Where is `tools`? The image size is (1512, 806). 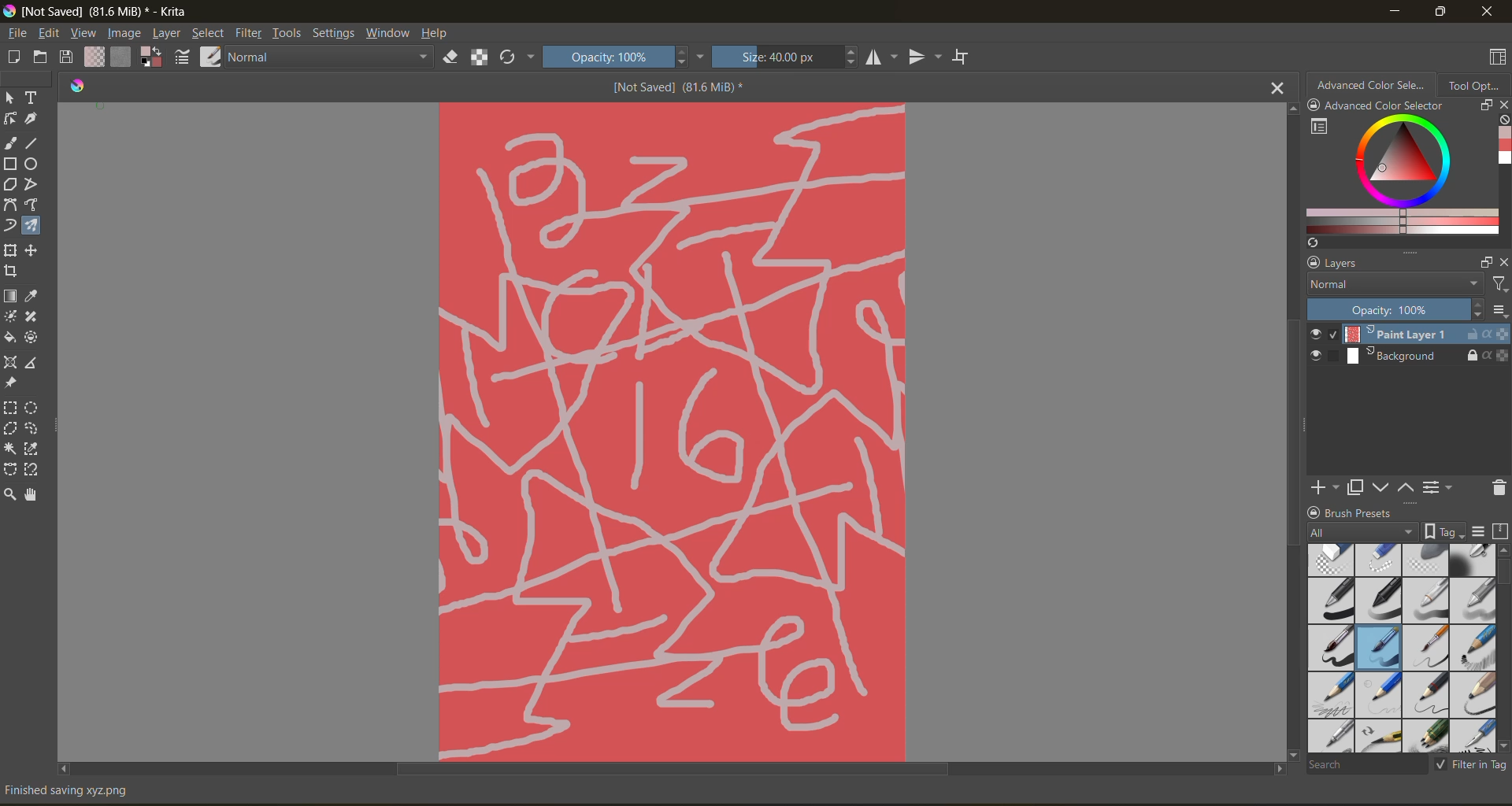 tools is located at coordinates (289, 33).